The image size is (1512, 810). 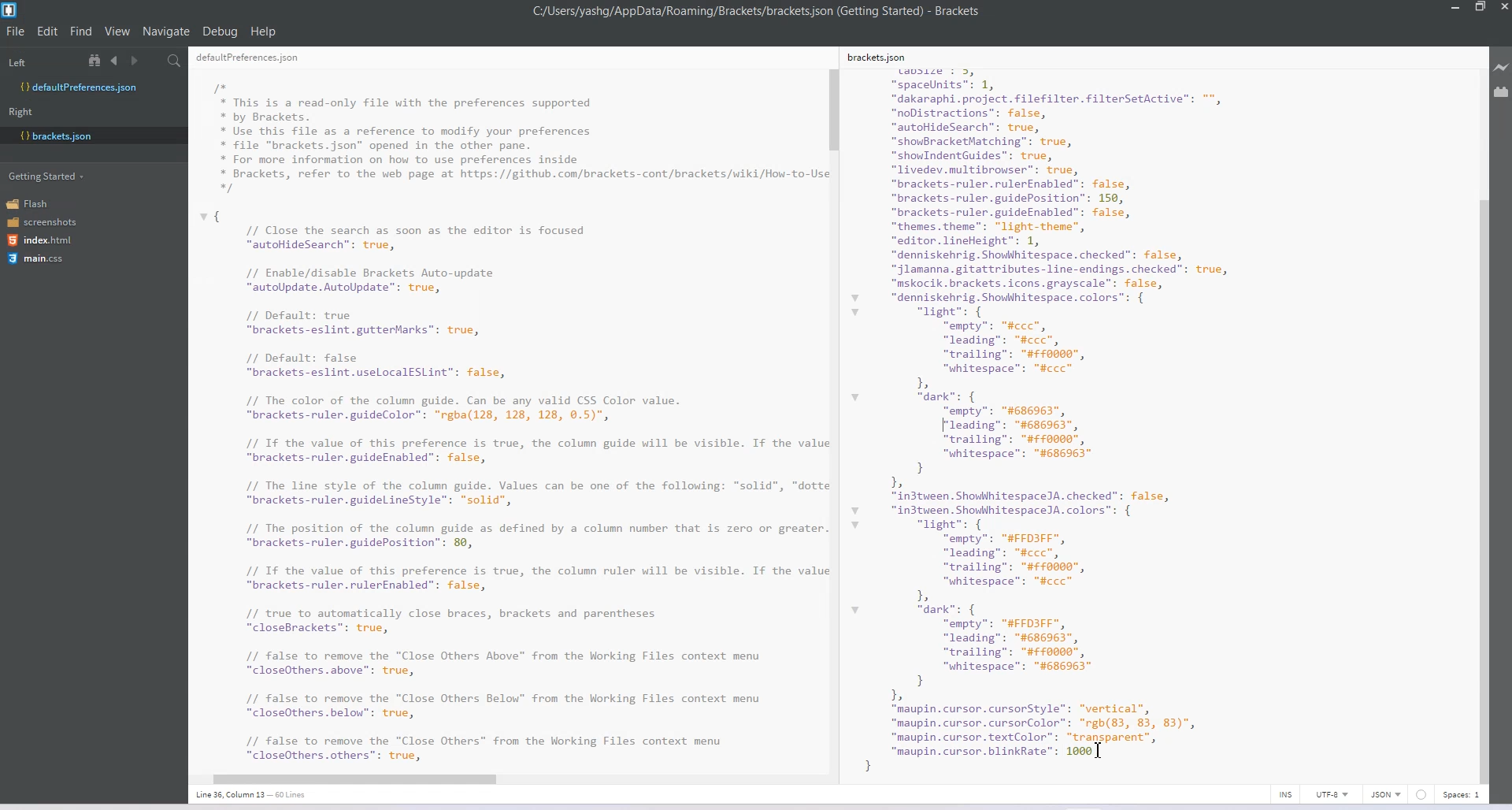 I want to click on Getting Started, so click(x=48, y=175).